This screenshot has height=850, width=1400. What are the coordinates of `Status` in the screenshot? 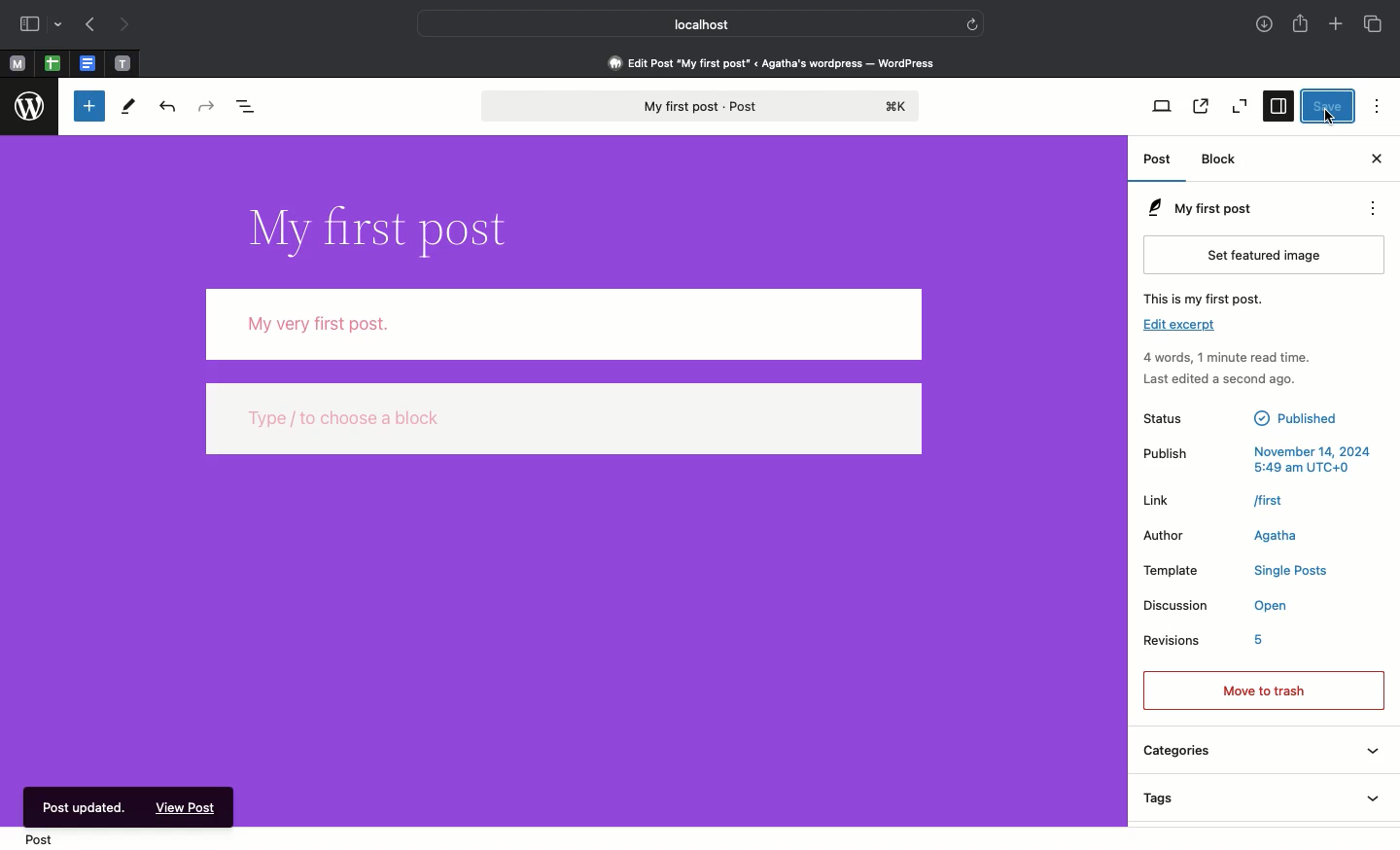 It's located at (1238, 420).